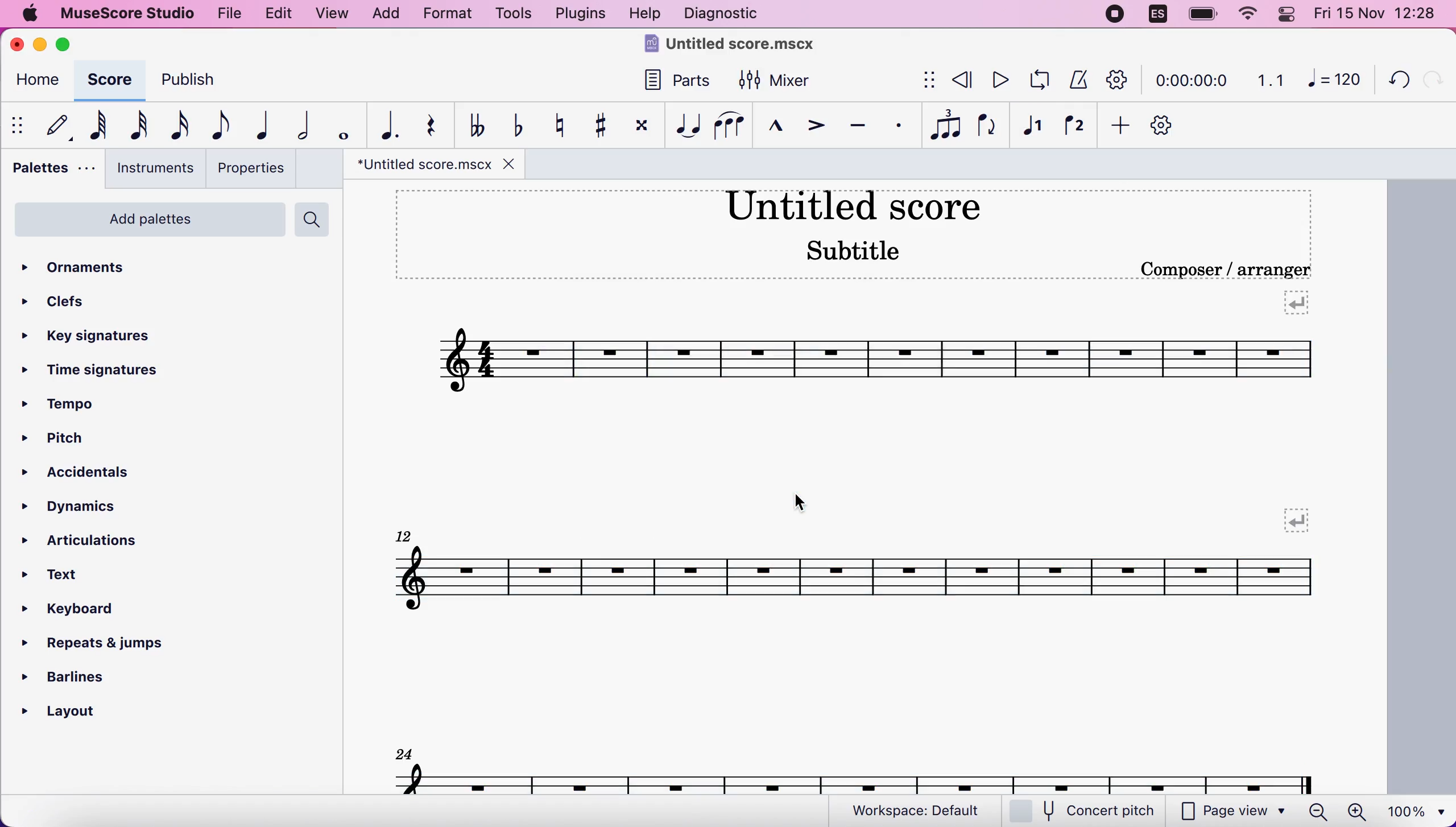  What do you see at coordinates (1379, 15) in the screenshot?
I see `time and date` at bounding box center [1379, 15].